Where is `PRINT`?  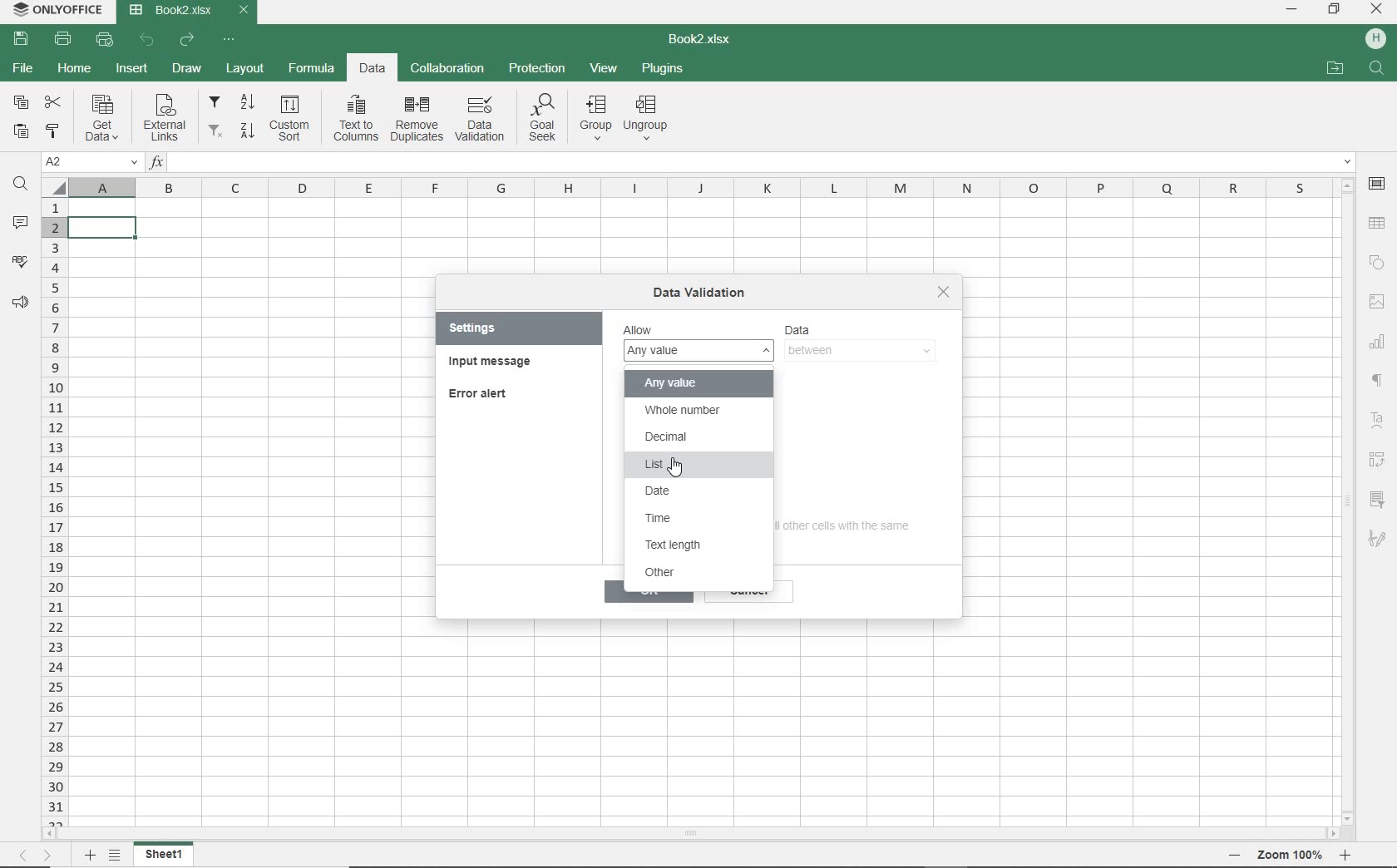 PRINT is located at coordinates (63, 40).